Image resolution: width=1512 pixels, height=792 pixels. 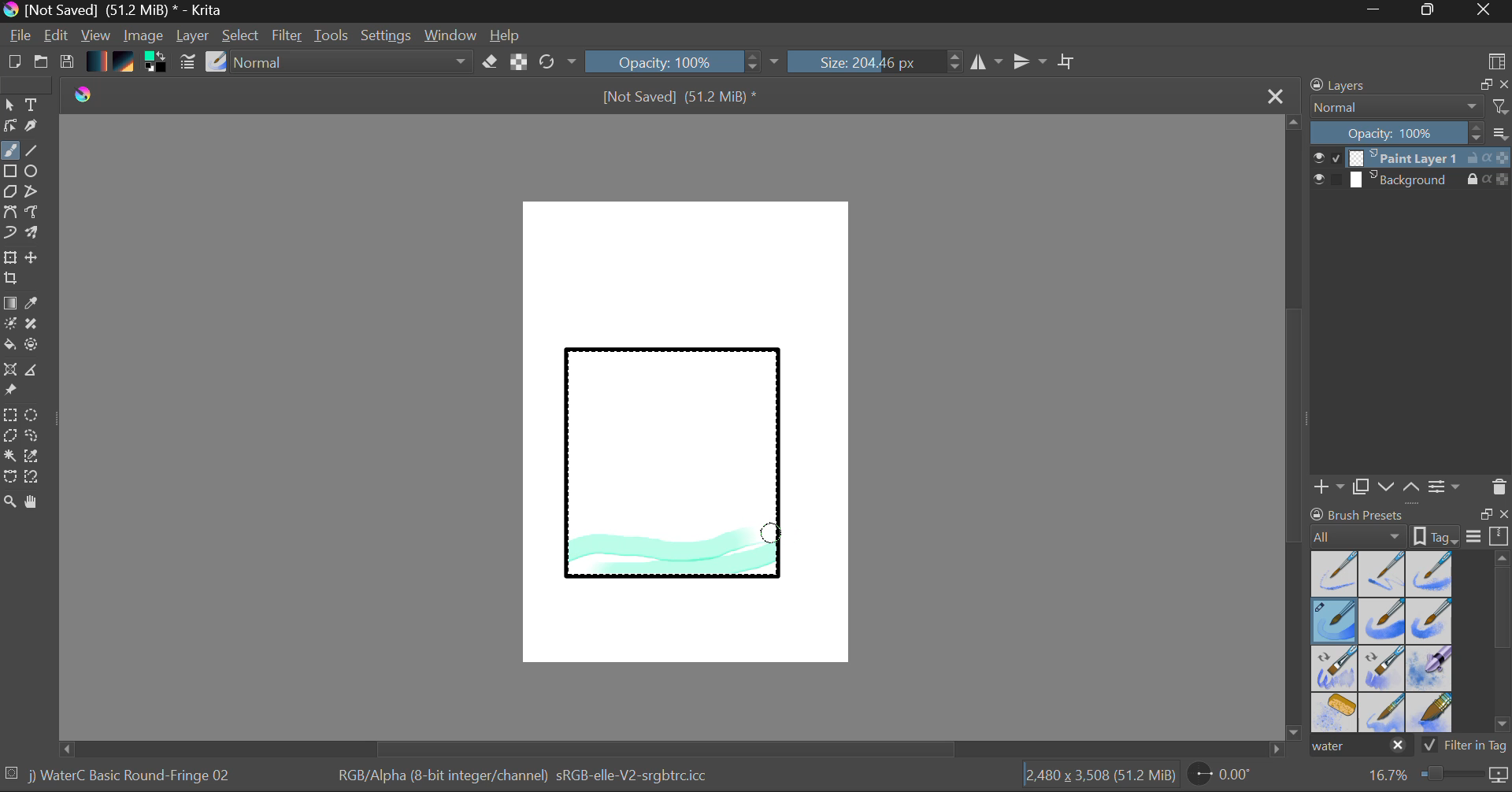 What do you see at coordinates (1336, 572) in the screenshot?
I see `Water C - Dry` at bounding box center [1336, 572].